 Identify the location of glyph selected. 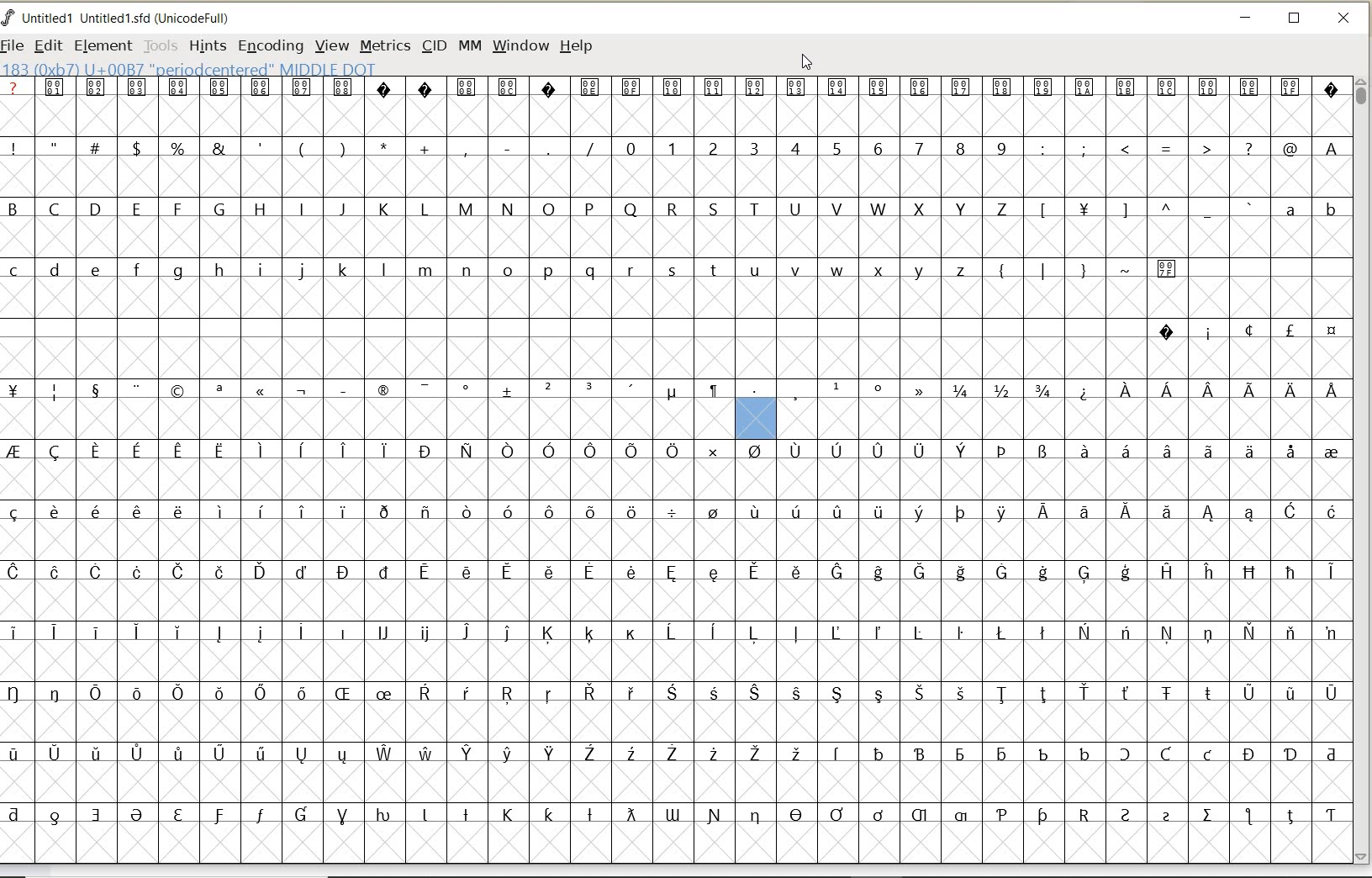
(755, 418).